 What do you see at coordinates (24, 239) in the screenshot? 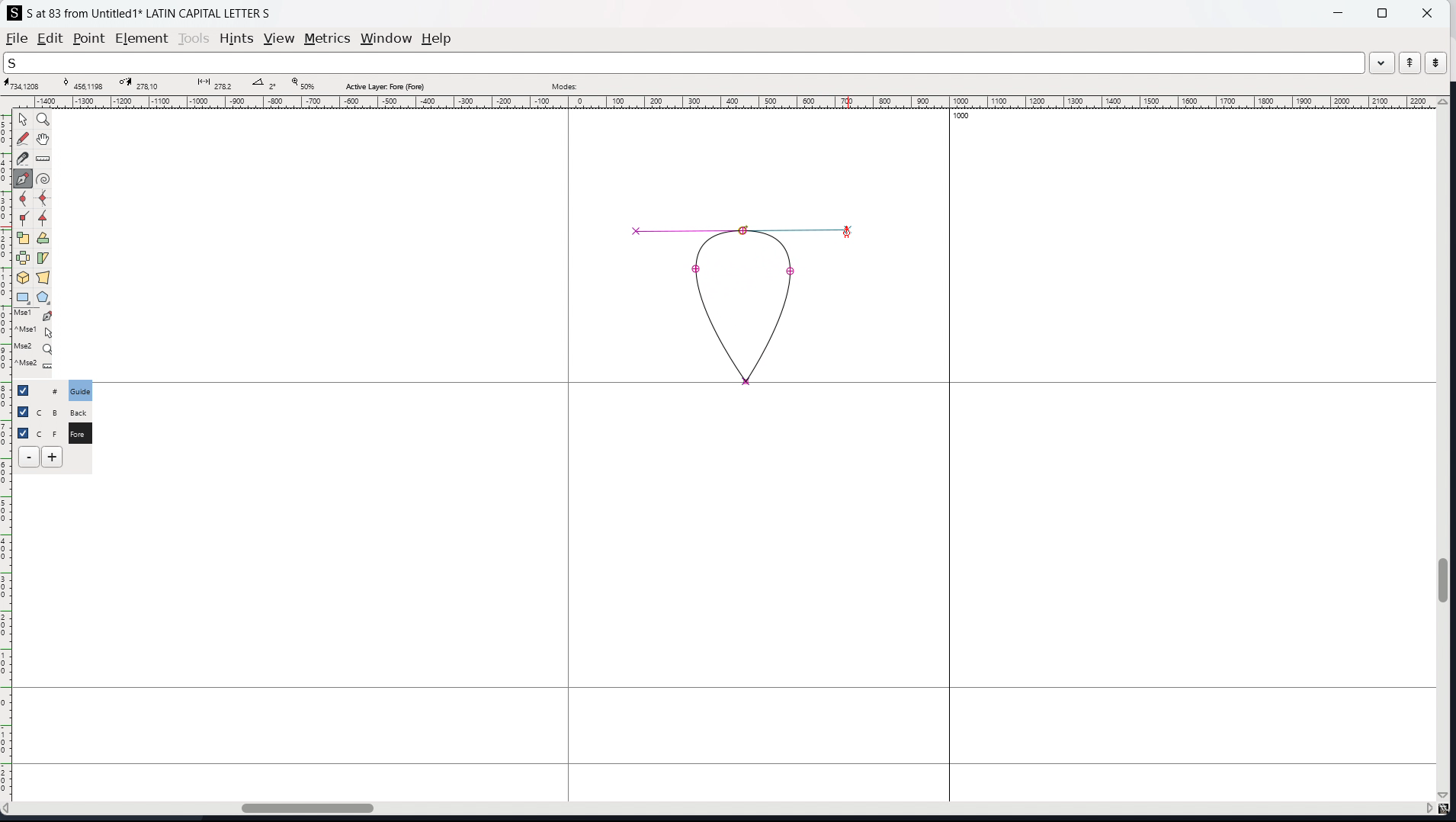
I see `scale the selection` at bounding box center [24, 239].